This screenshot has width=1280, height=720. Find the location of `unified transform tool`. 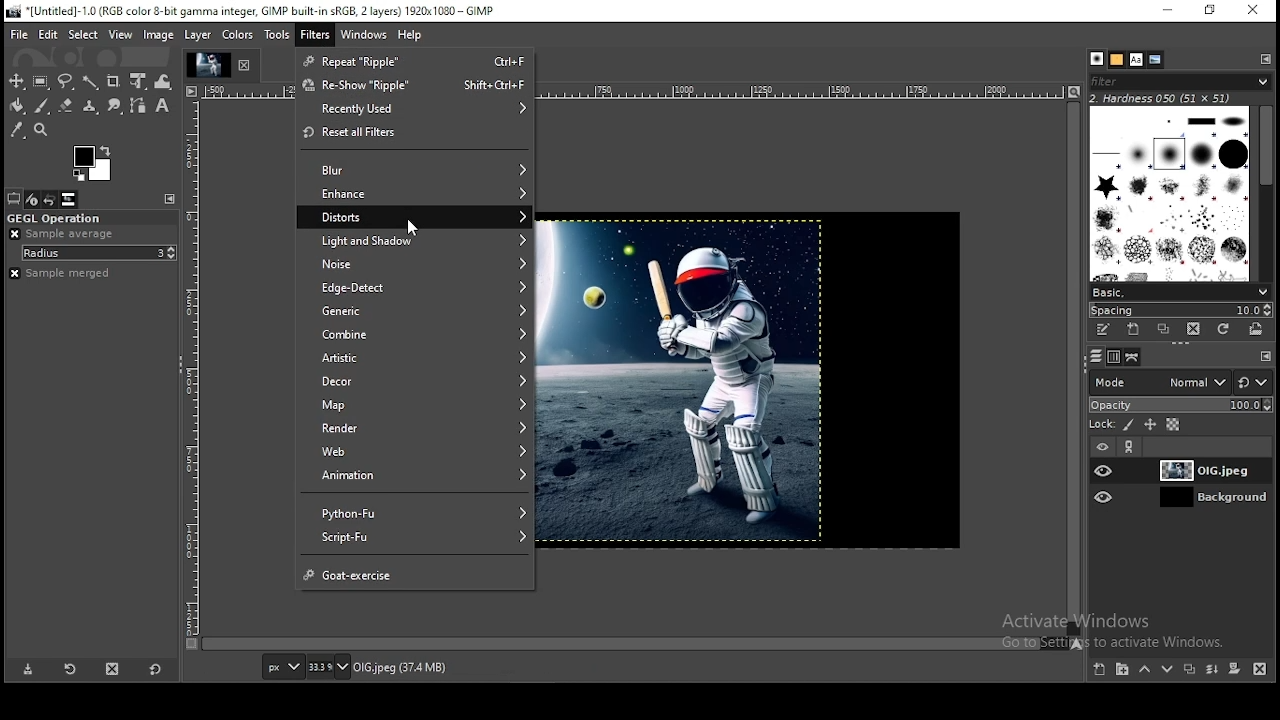

unified transform tool is located at coordinates (140, 80).